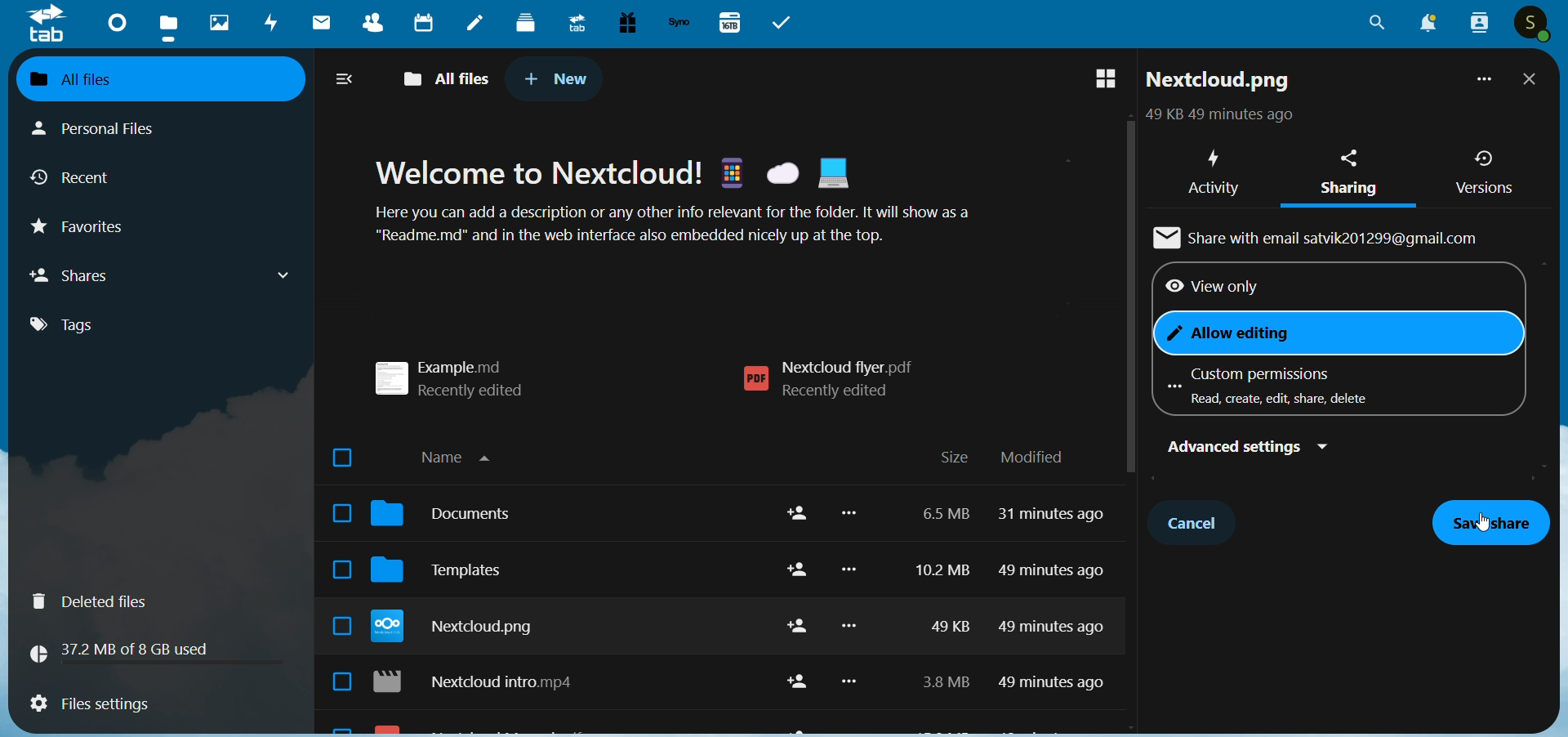 The width and height of the screenshot is (1568, 737). I want to click on name, so click(464, 454).